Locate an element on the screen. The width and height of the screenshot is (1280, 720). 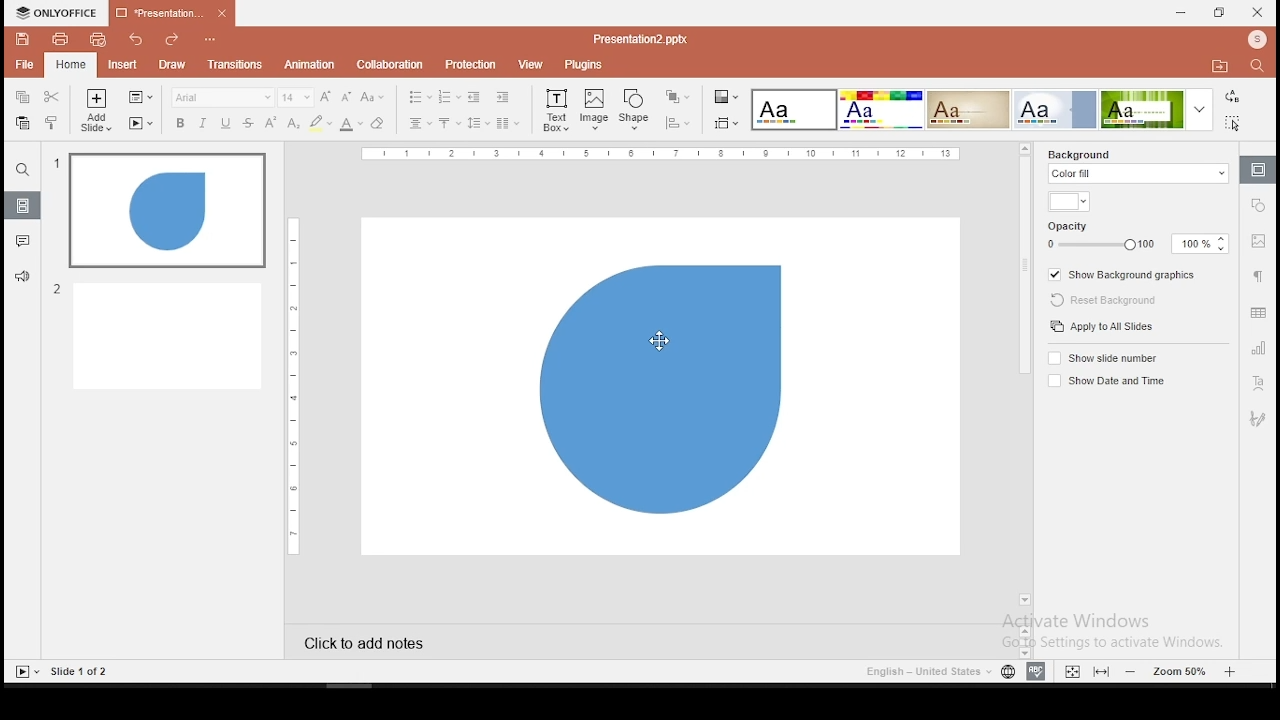
open file location is located at coordinates (1216, 66).